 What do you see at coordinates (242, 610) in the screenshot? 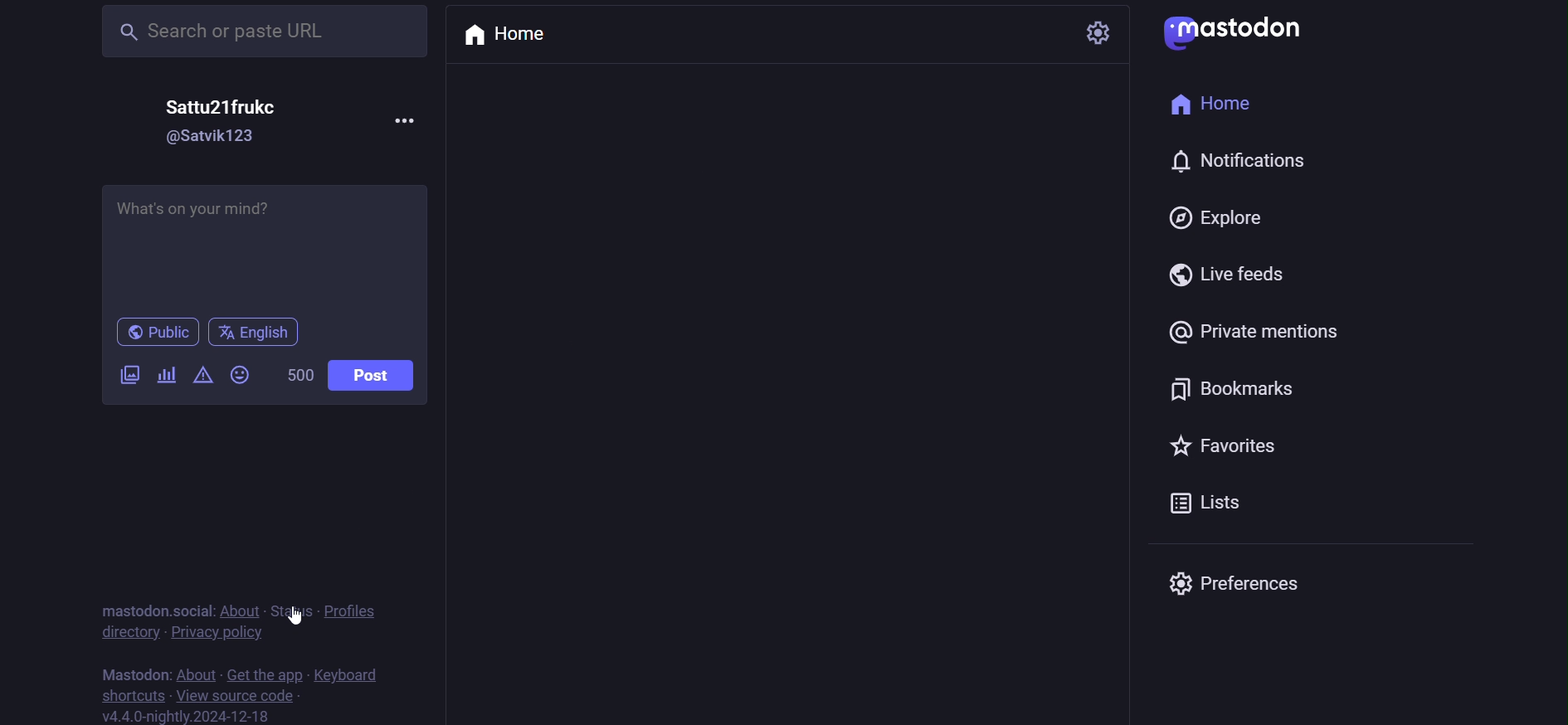
I see `about` at bounding box center [242, 610].